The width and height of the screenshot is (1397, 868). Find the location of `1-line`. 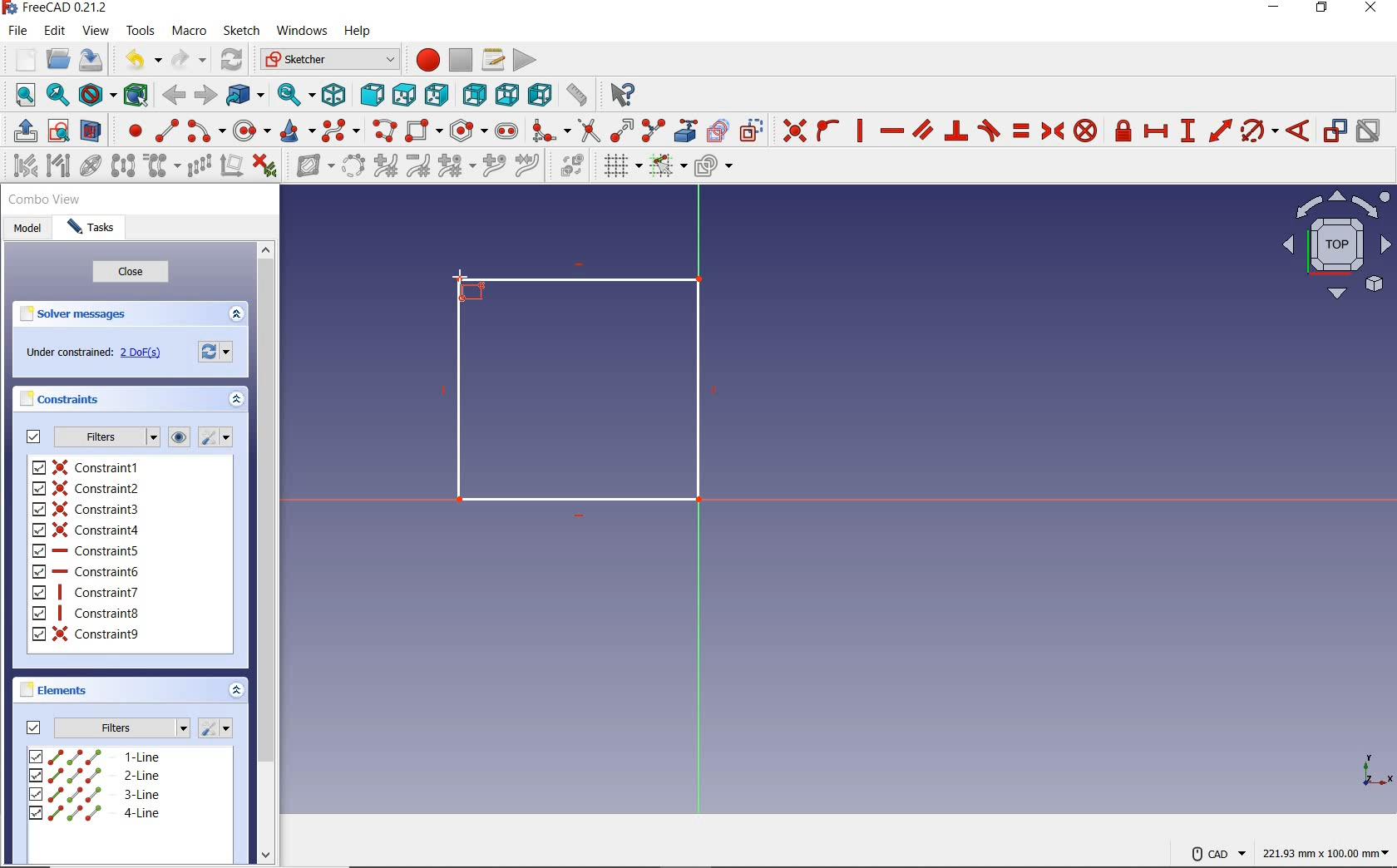

1-line is located at coordinates (95, 756).